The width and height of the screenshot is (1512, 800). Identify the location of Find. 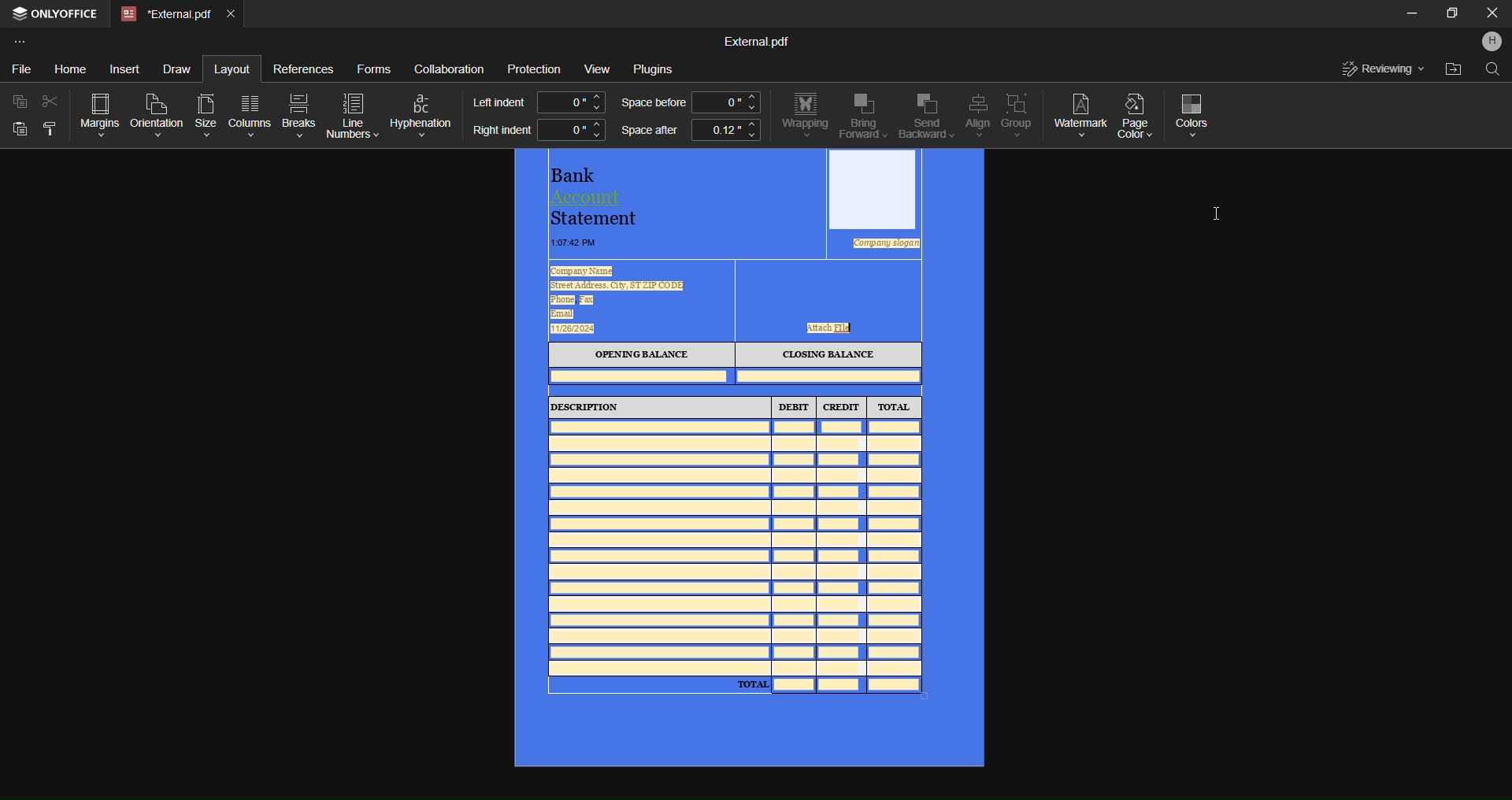
(1493, 72).